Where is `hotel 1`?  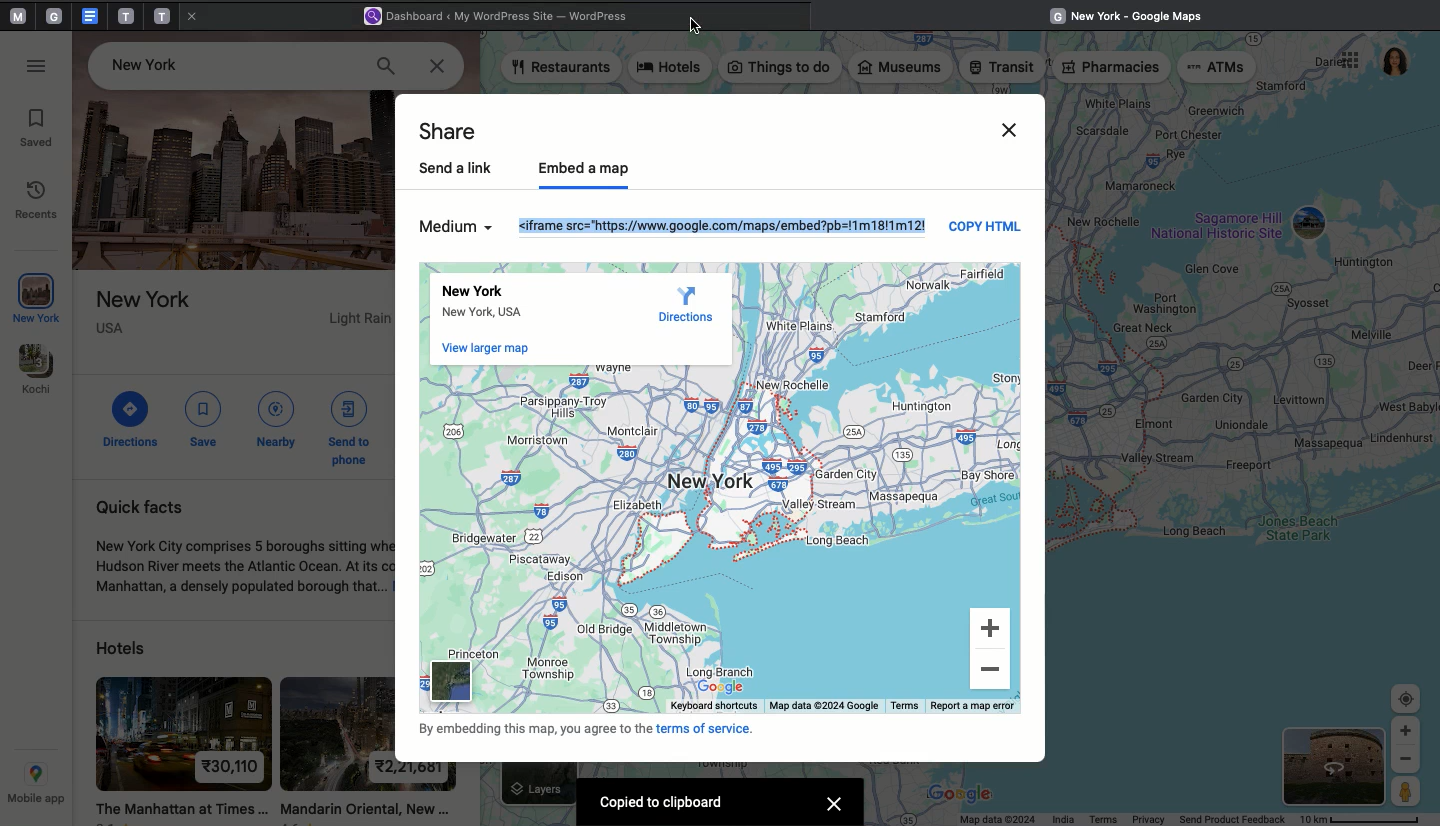
hotel 1 is located at coordinates (179, 746).